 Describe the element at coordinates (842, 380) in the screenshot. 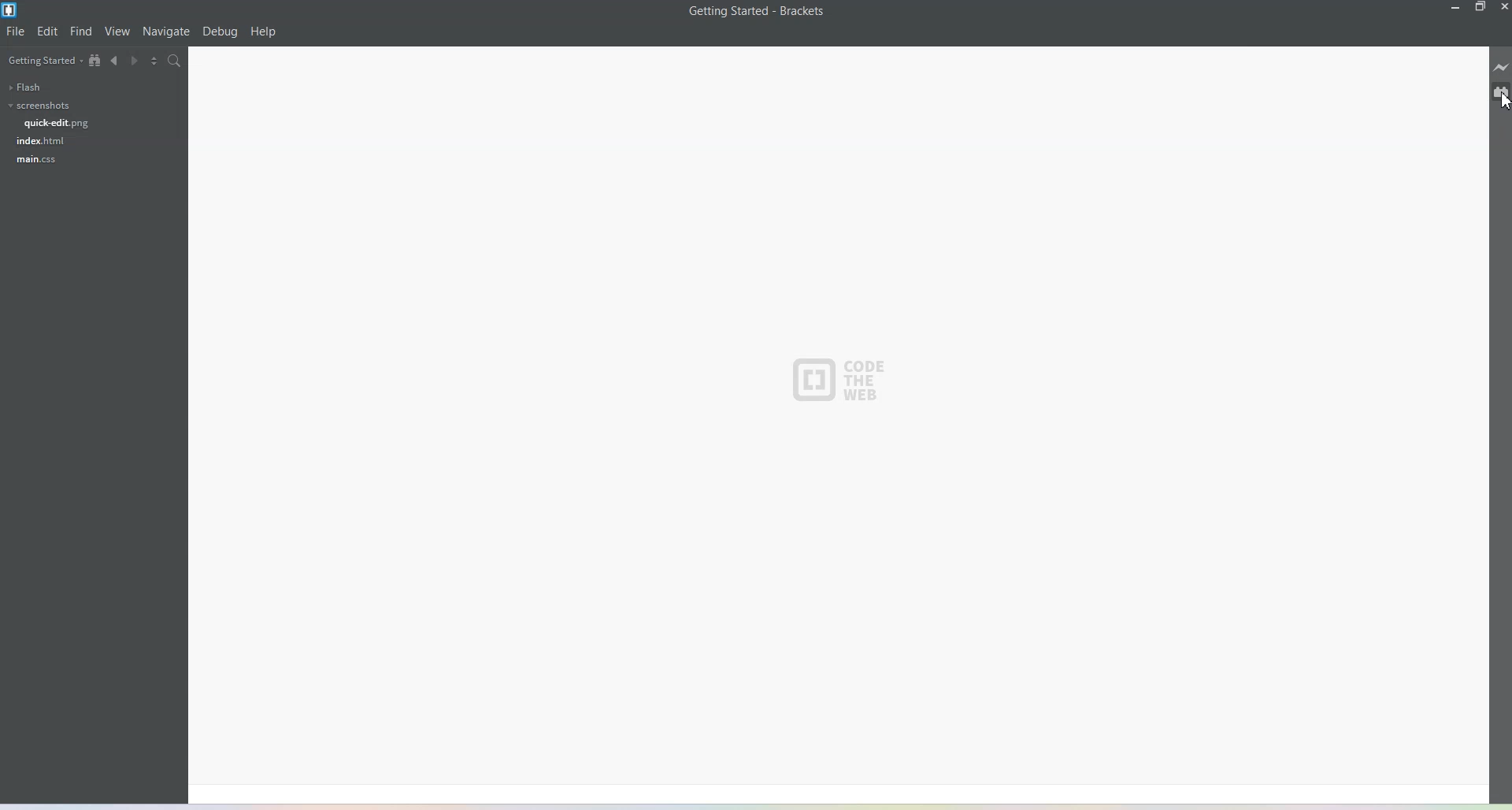

I see `Logo` at that location.